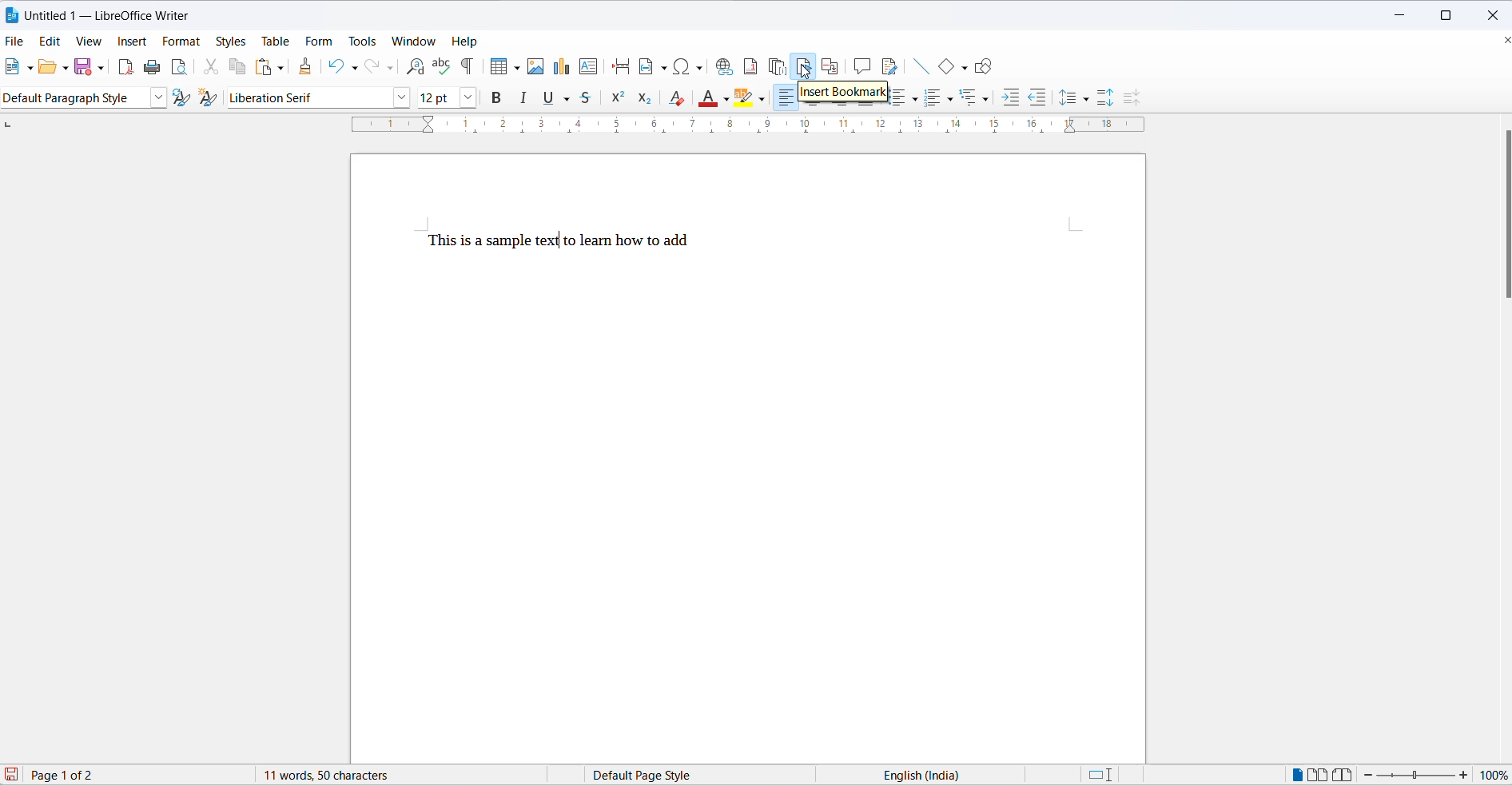 This screenshot has width=1512, height=786. What do you see at coordinates (726, 99) in the screenshot?
I see `font color options` at bounding box center [726, 99].